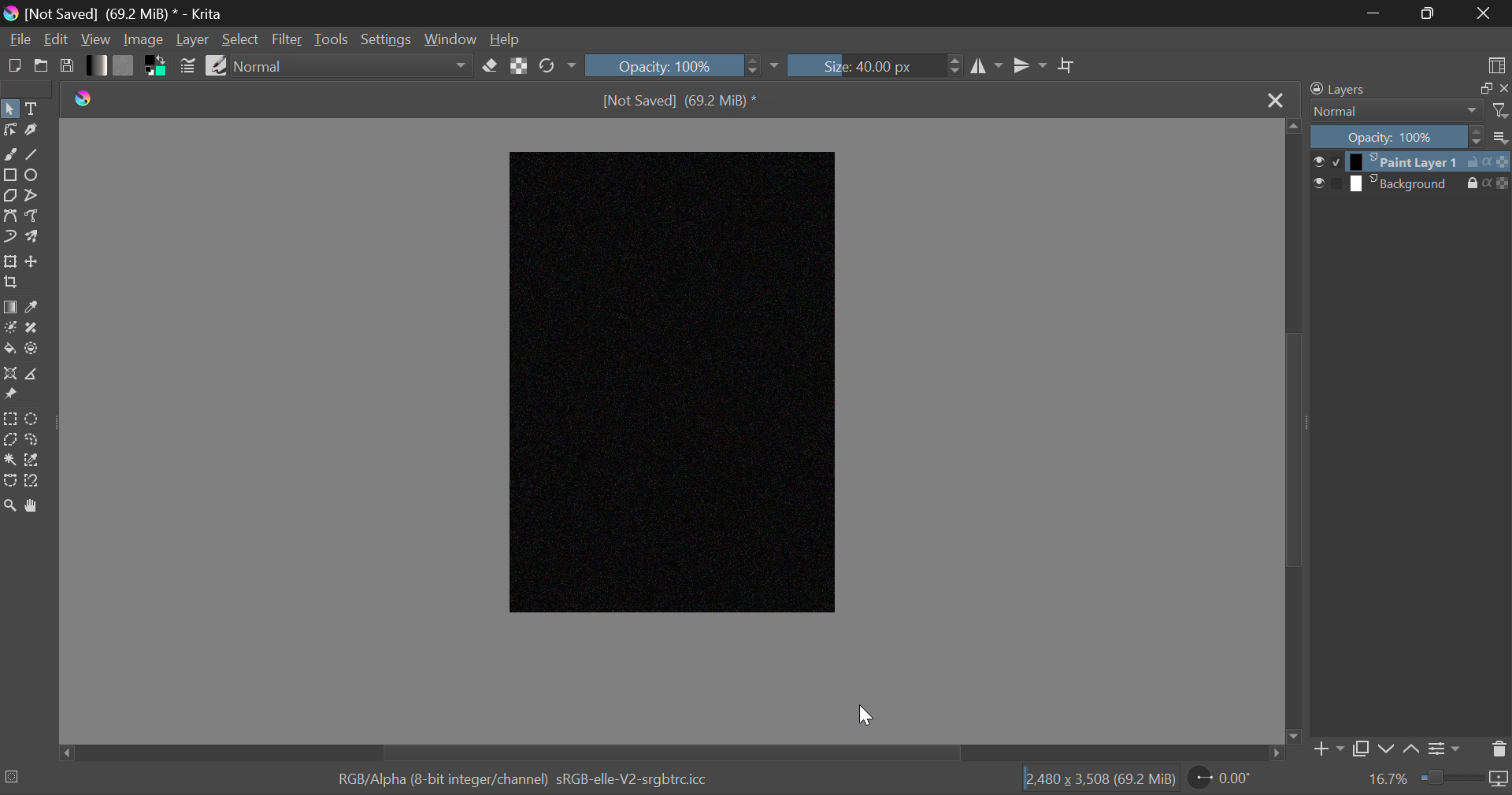  Describe the element at coordinates (9, 173) in the screenshot. I see `Rectangle` at that location.